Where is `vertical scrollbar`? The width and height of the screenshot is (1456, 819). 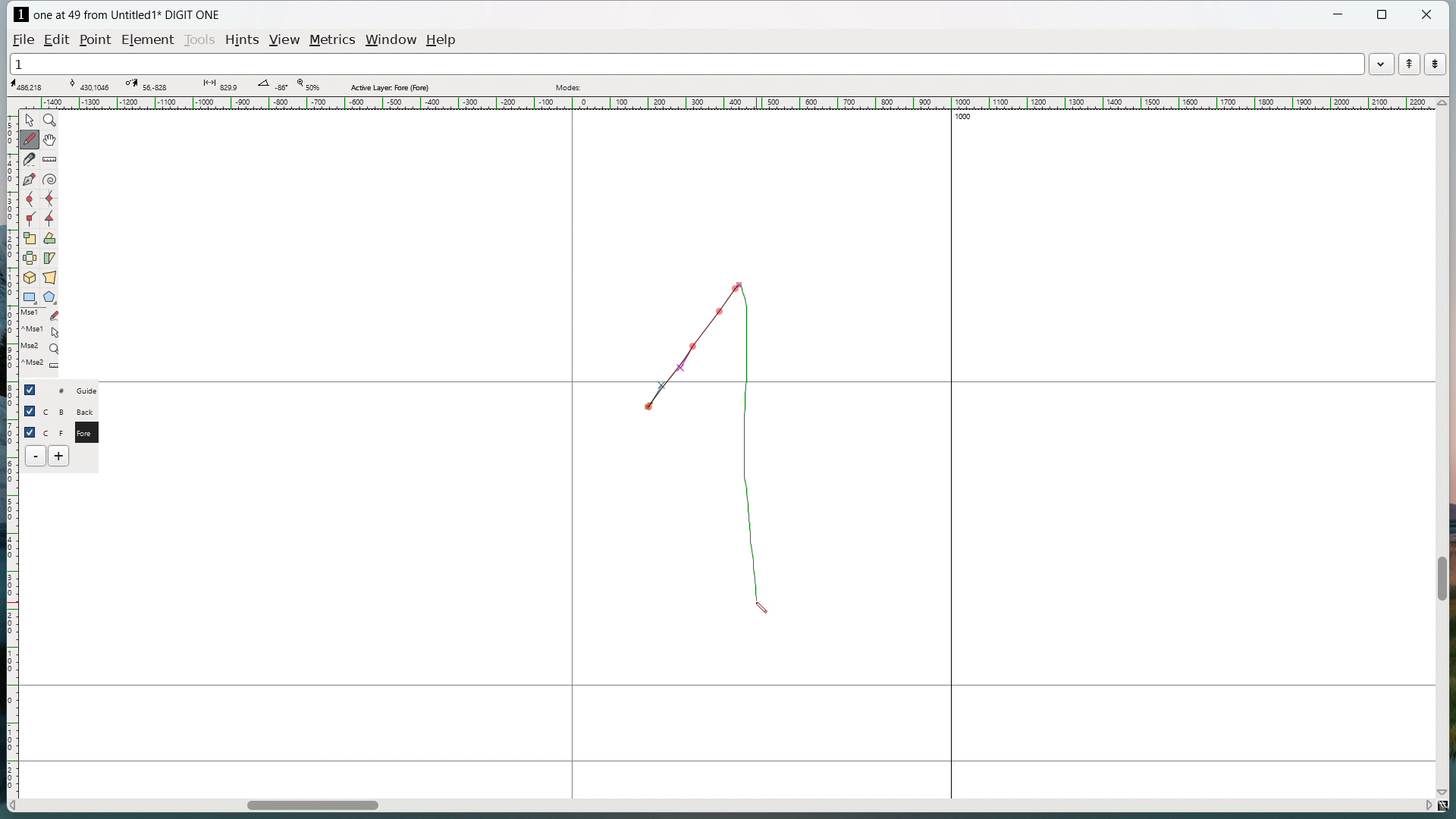 vertical scrollbar is located at coordinates (1441, 579).